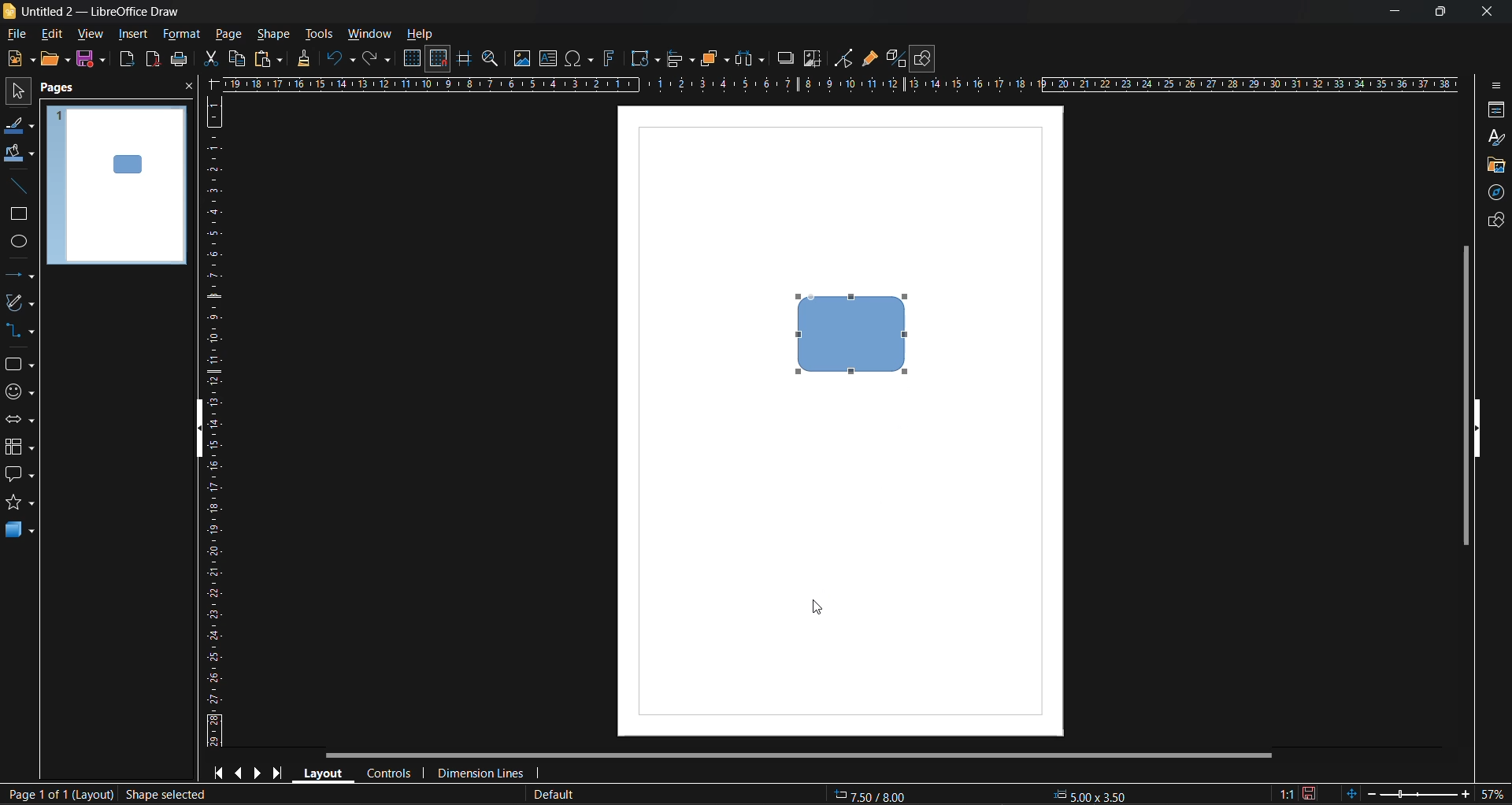  What do you see at coordinates (217, 772) in the screenshot?
I see `first` at bounding box center [217, 772].